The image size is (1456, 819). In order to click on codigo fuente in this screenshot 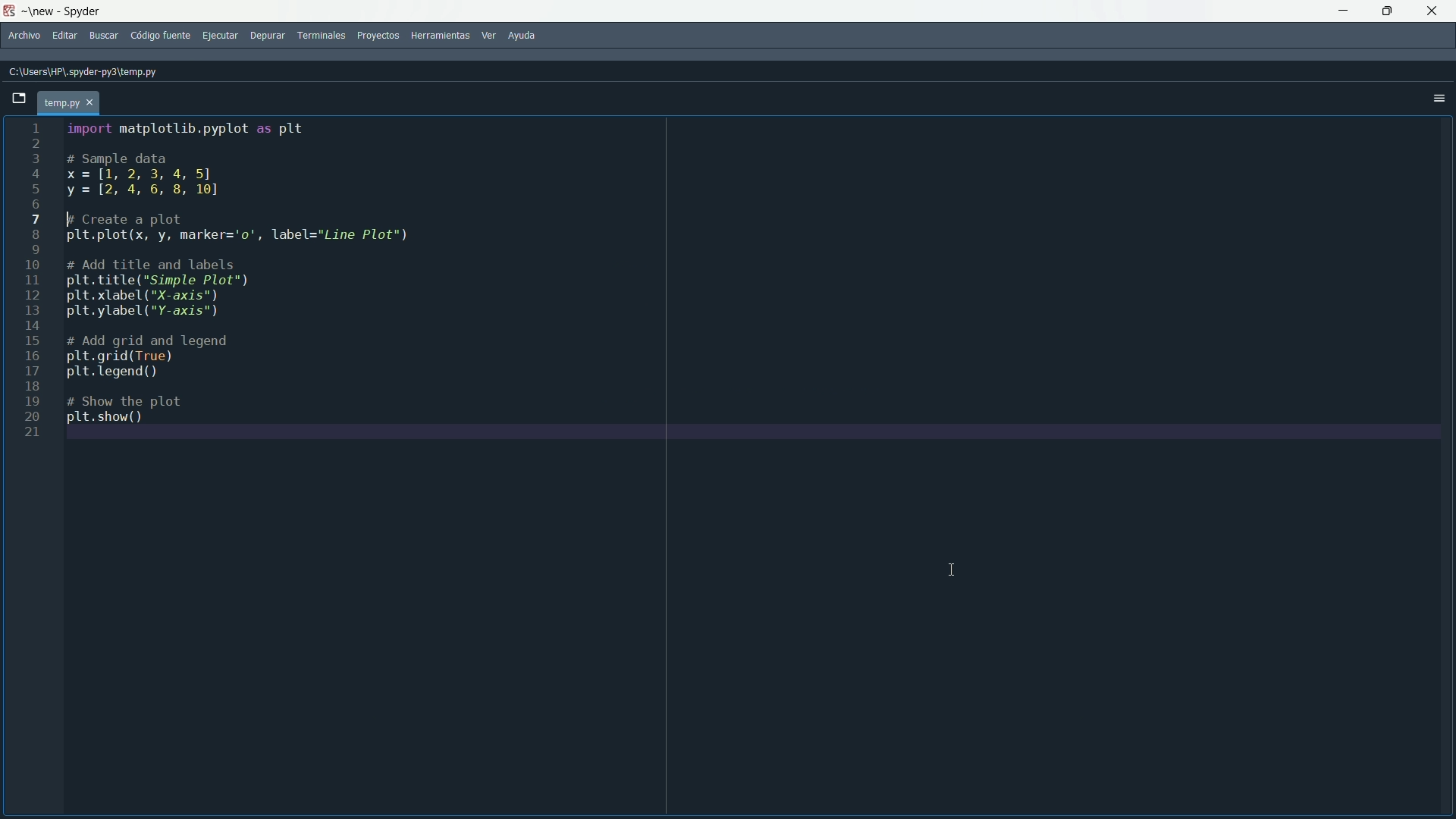, I will do `click(161, 36)`.